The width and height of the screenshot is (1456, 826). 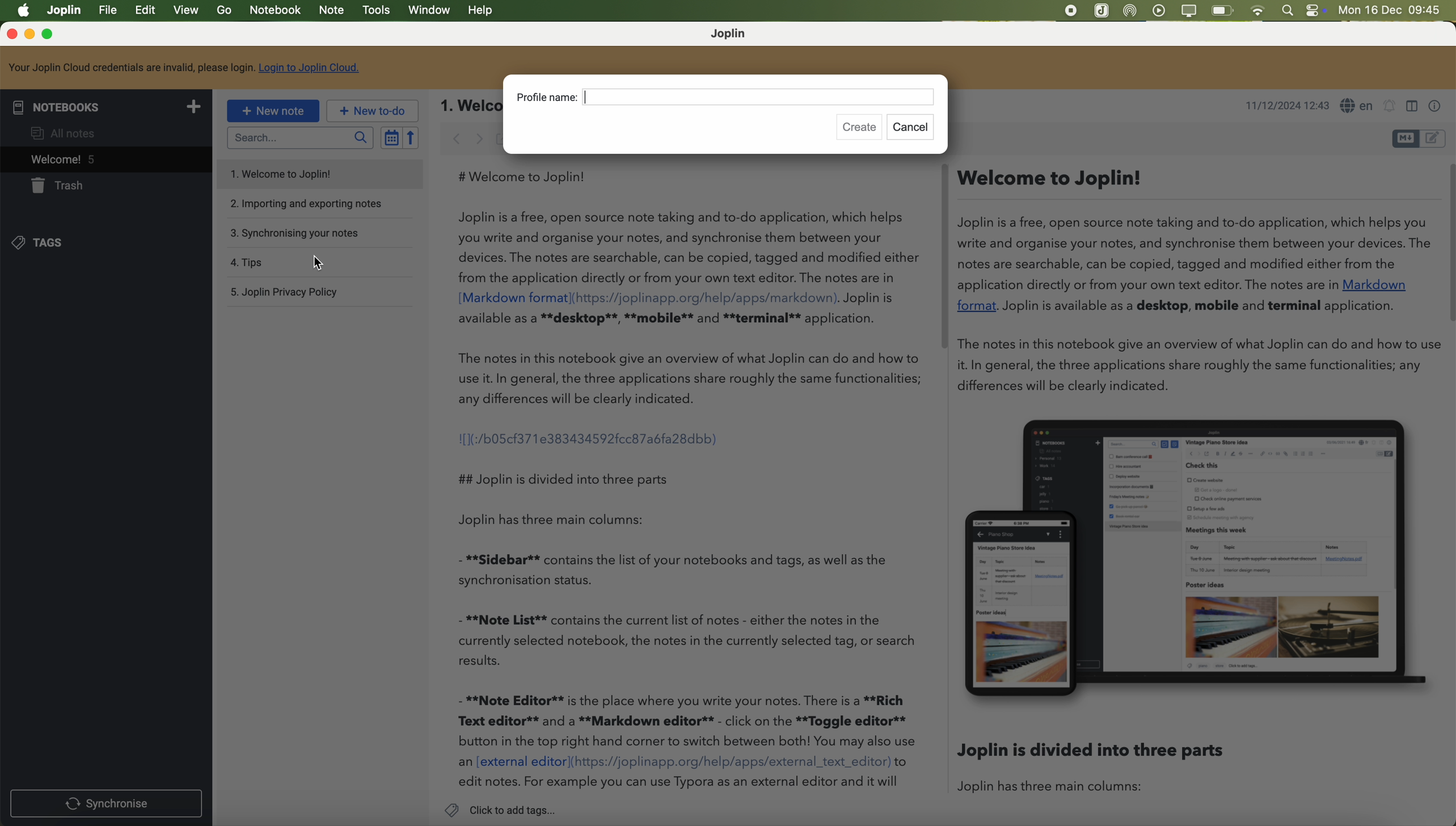 I want to click on Joplin app, so click(x=1102, y=12).